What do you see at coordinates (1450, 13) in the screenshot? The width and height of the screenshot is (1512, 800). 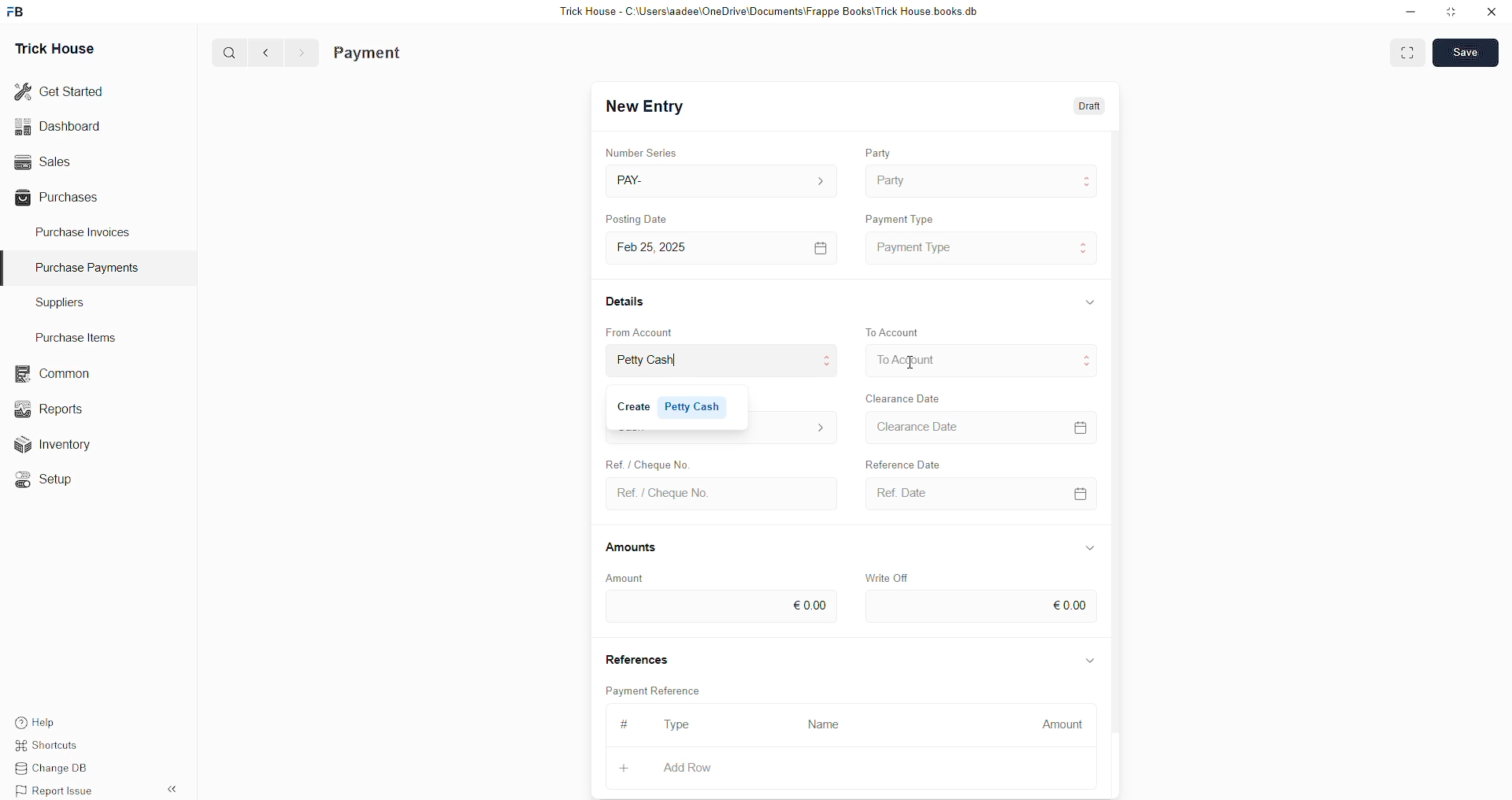 I see `minimise window` at bounding box center [1450, 13].